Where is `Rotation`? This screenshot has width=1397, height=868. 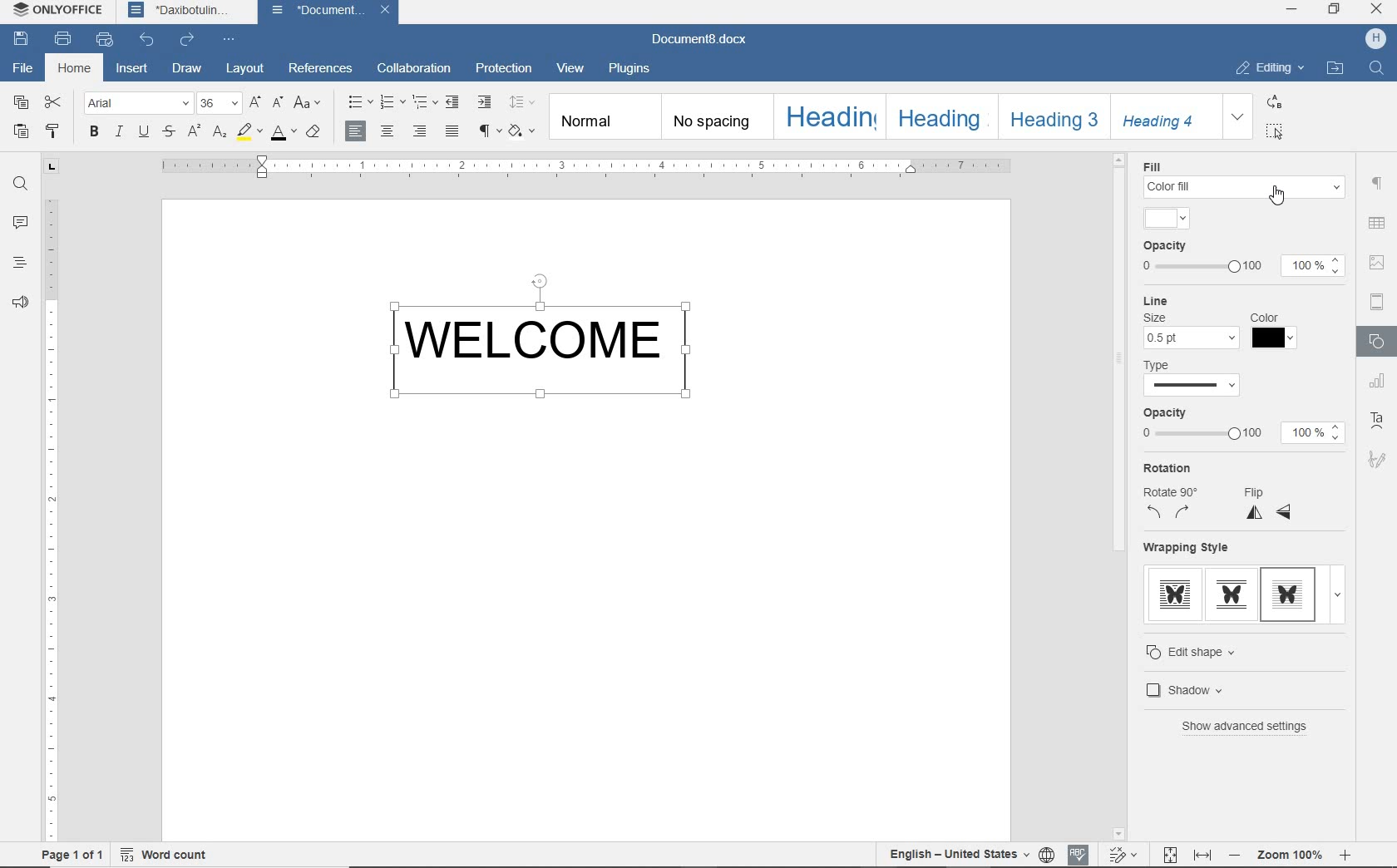 Rotation is located at coordinates (1167, 468).